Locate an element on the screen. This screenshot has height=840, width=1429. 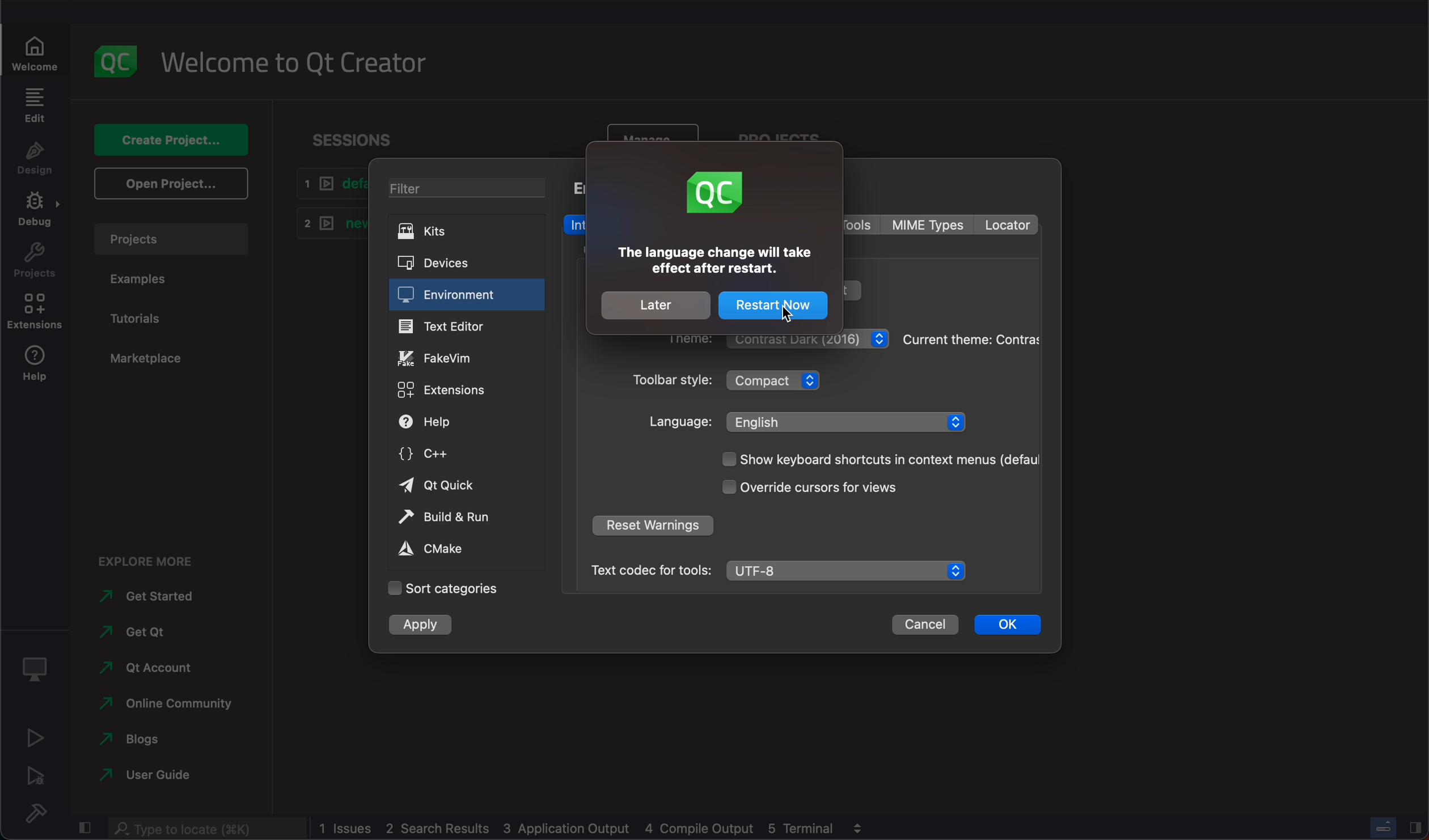
fake is located at coordinates (466, 357).